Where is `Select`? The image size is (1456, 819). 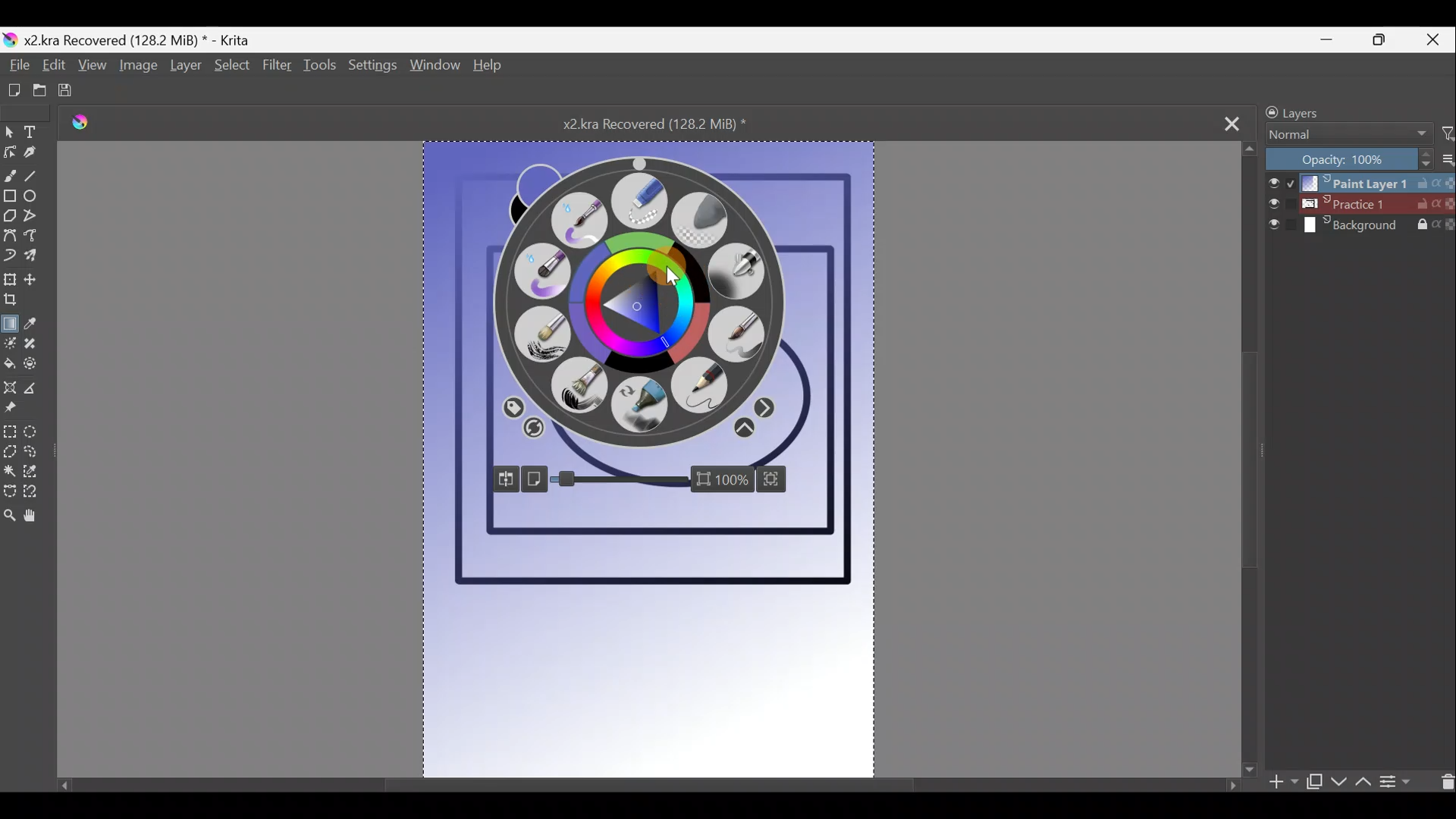
Select is located at coordinates (230, 66).